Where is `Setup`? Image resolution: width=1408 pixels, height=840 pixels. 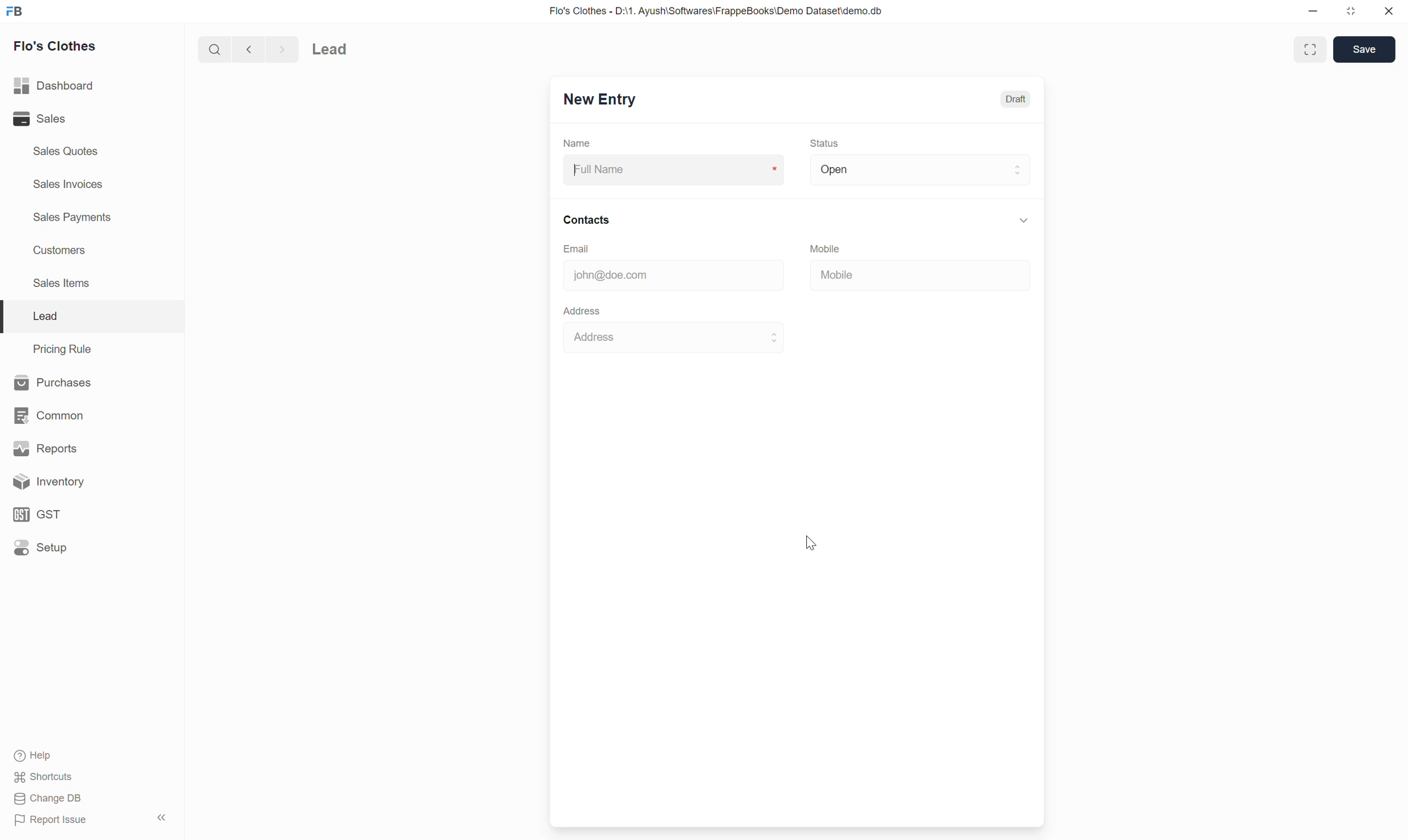 Setup is located at coordinates (41, 548).